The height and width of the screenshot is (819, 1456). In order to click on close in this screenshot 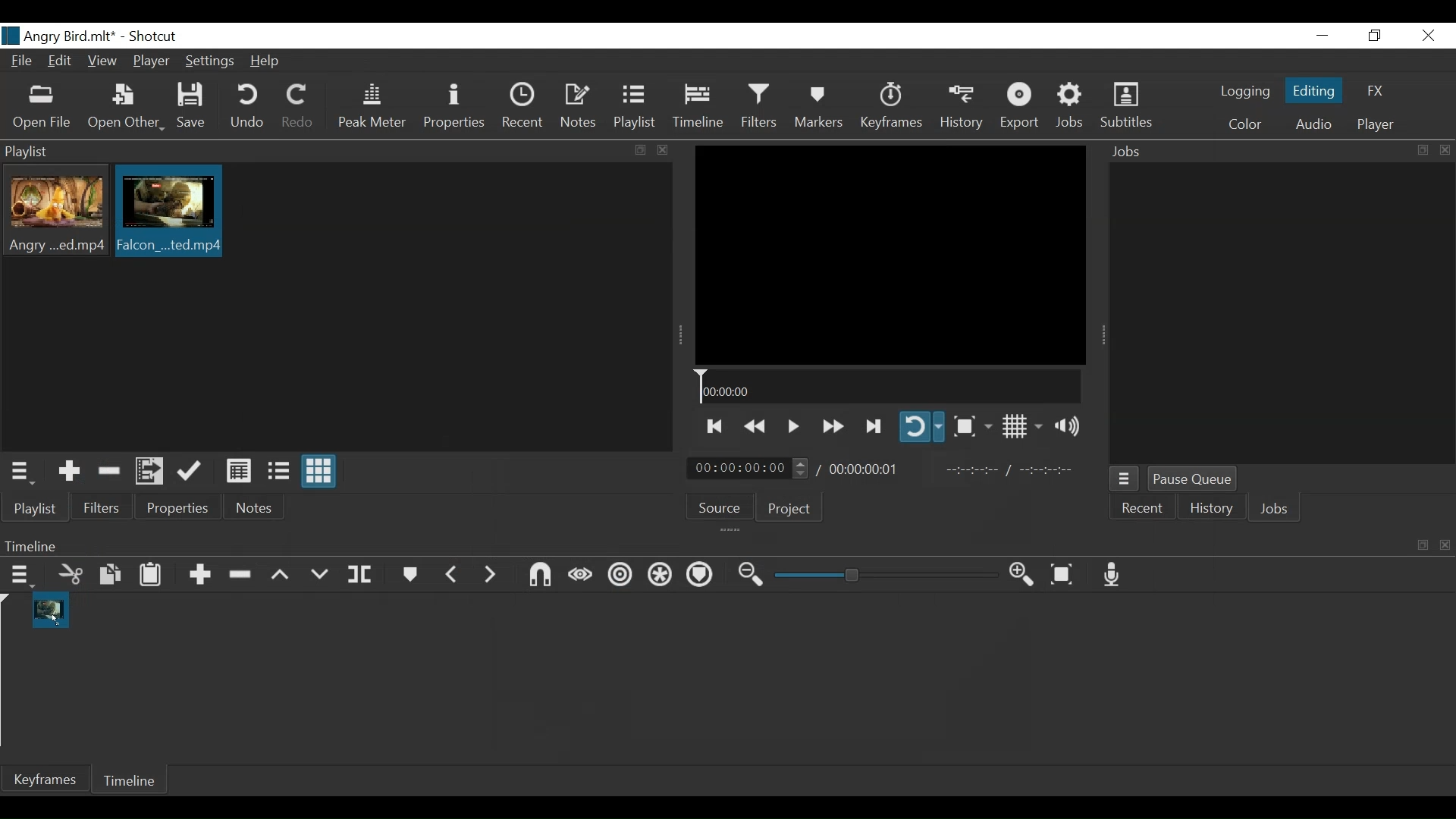, I will do `click(664, 150)`.